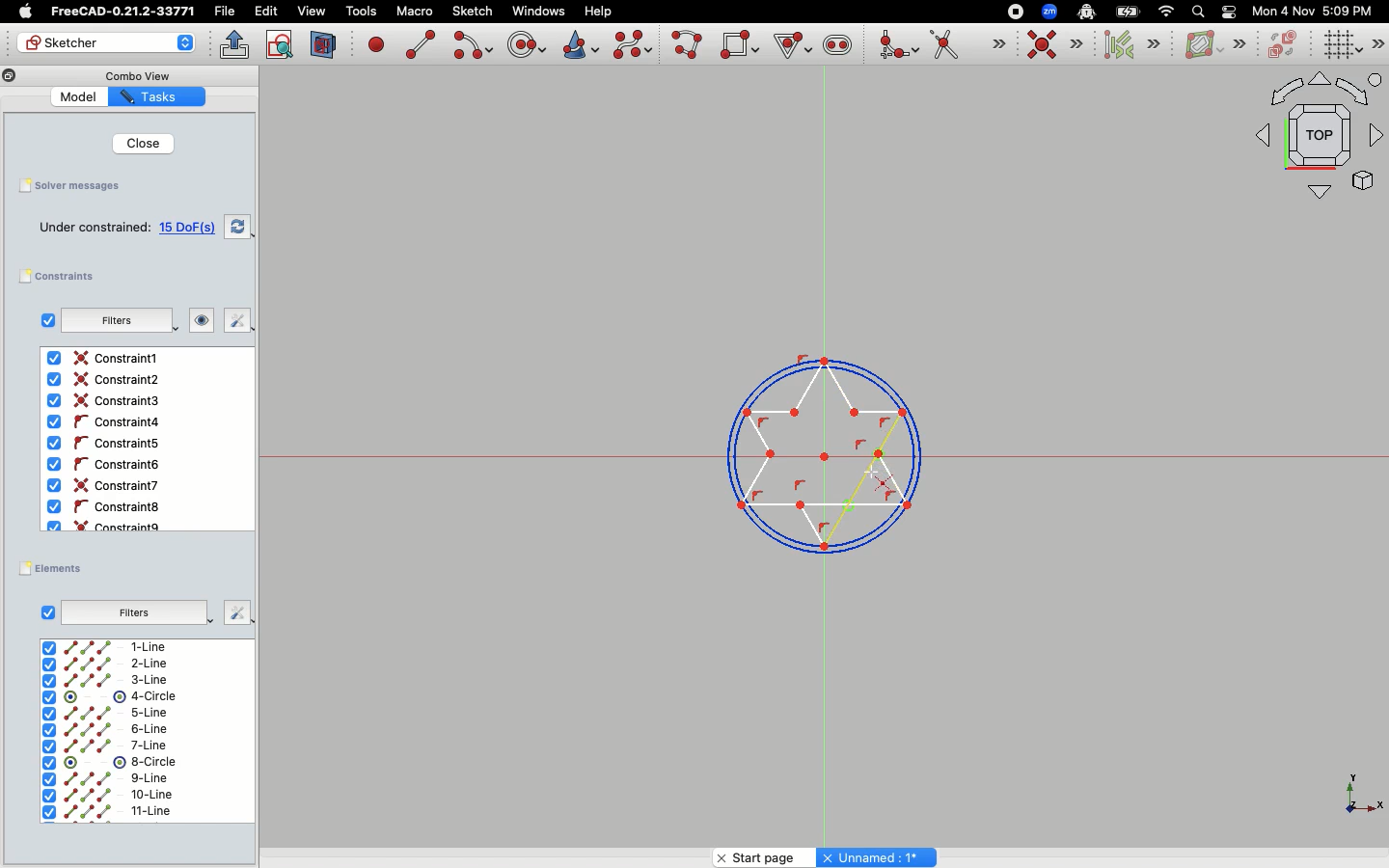 The width and height of the screenshot is (1389, 868). What do you see at coordinates (740, 44) in the screenshot?
I see `Create rectangle` at bounding box center [740, 44].